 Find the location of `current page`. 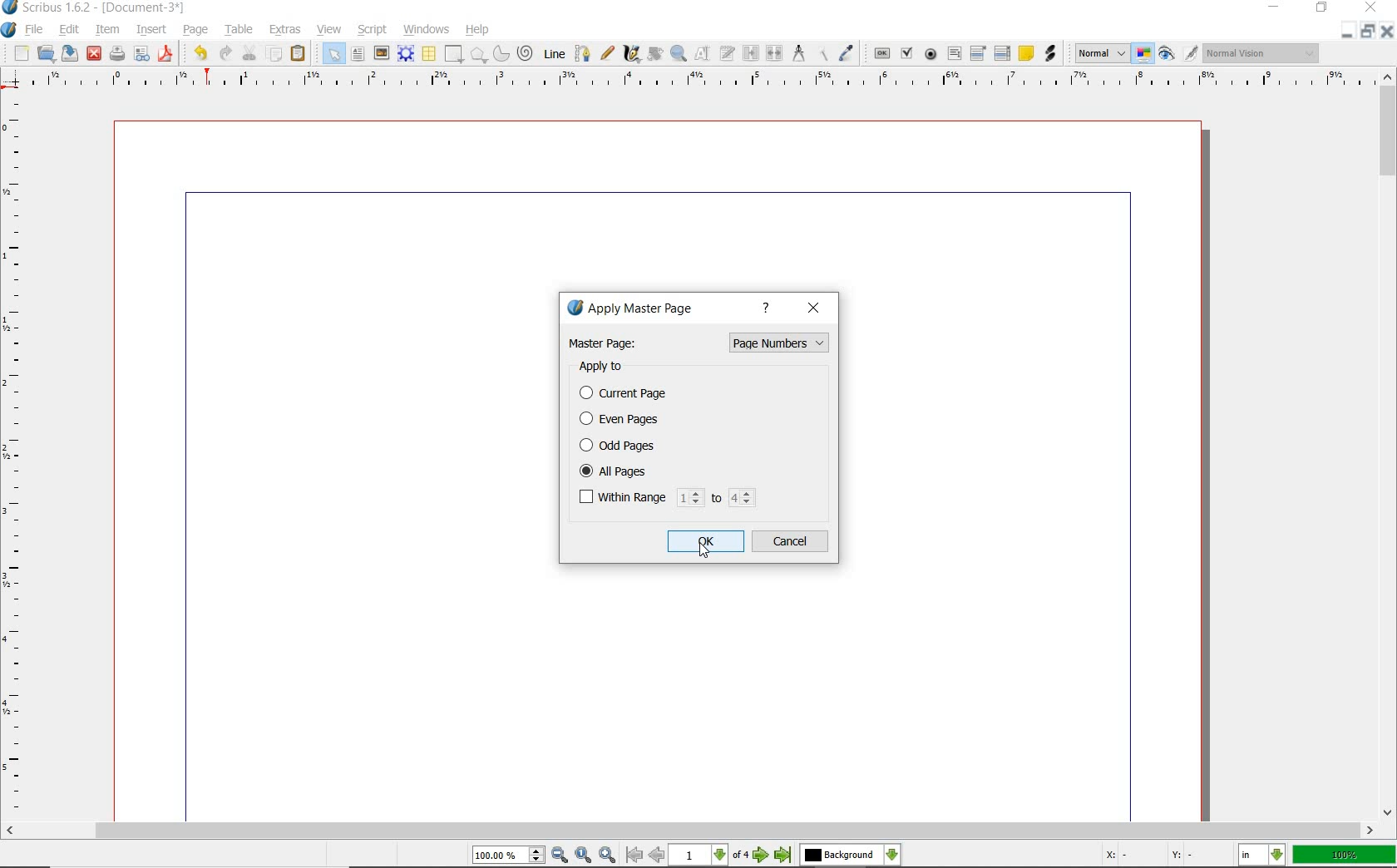

current page is located at coordinates (632, 394).